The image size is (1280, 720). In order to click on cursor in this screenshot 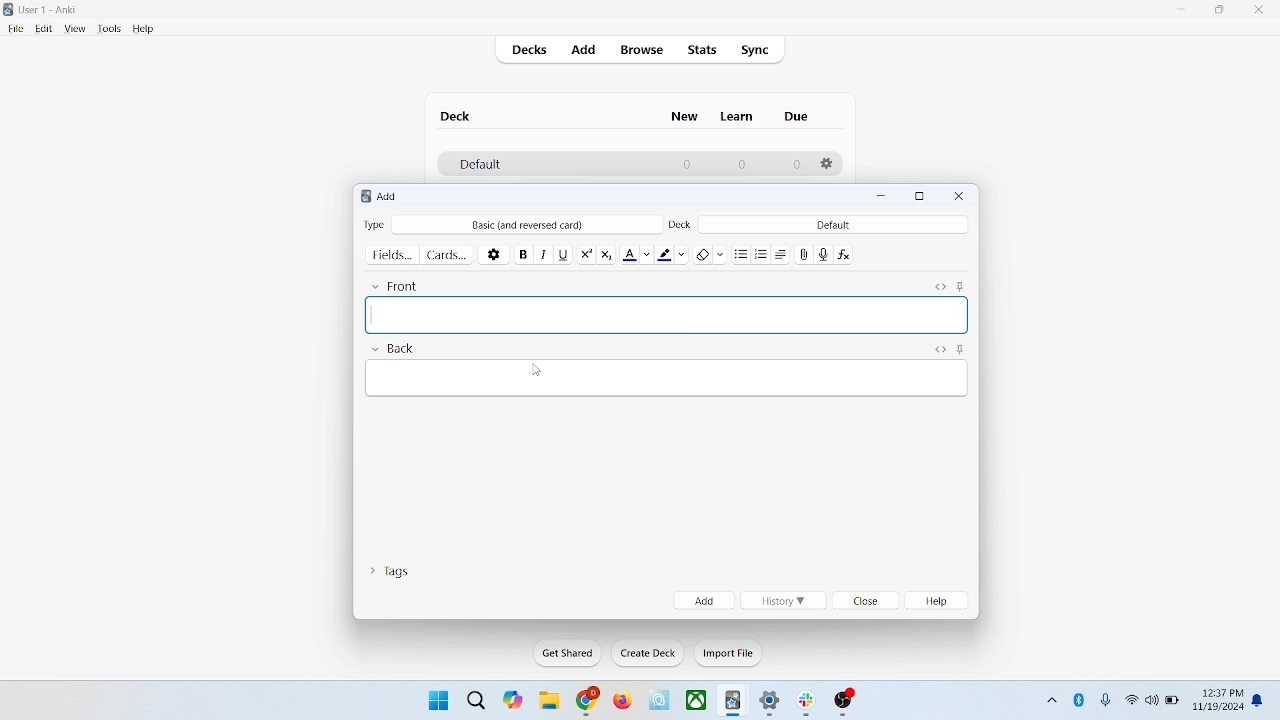, I will do `click(535, 370)`.